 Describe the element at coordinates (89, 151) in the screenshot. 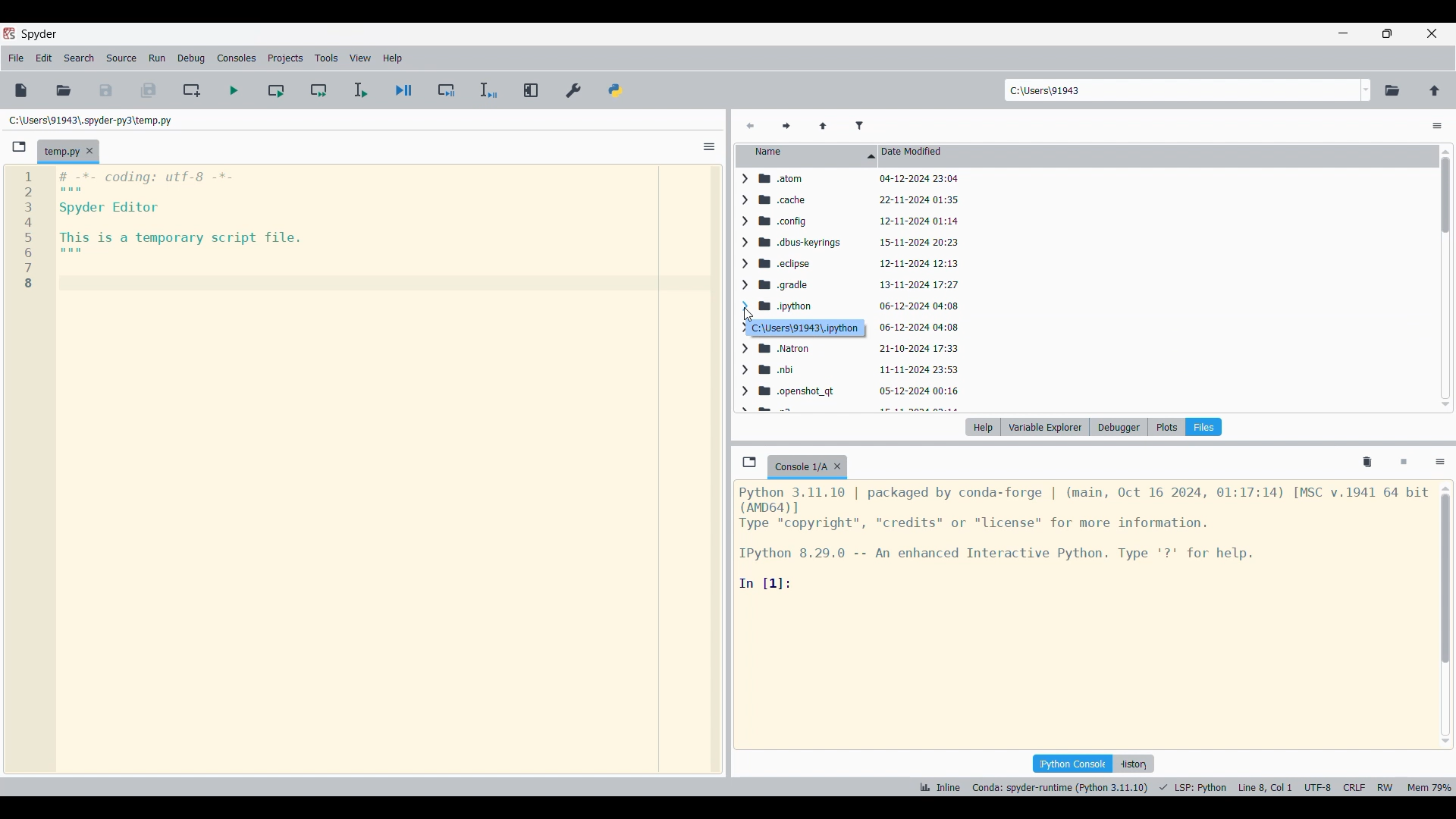

I see `Close tab` at that location.